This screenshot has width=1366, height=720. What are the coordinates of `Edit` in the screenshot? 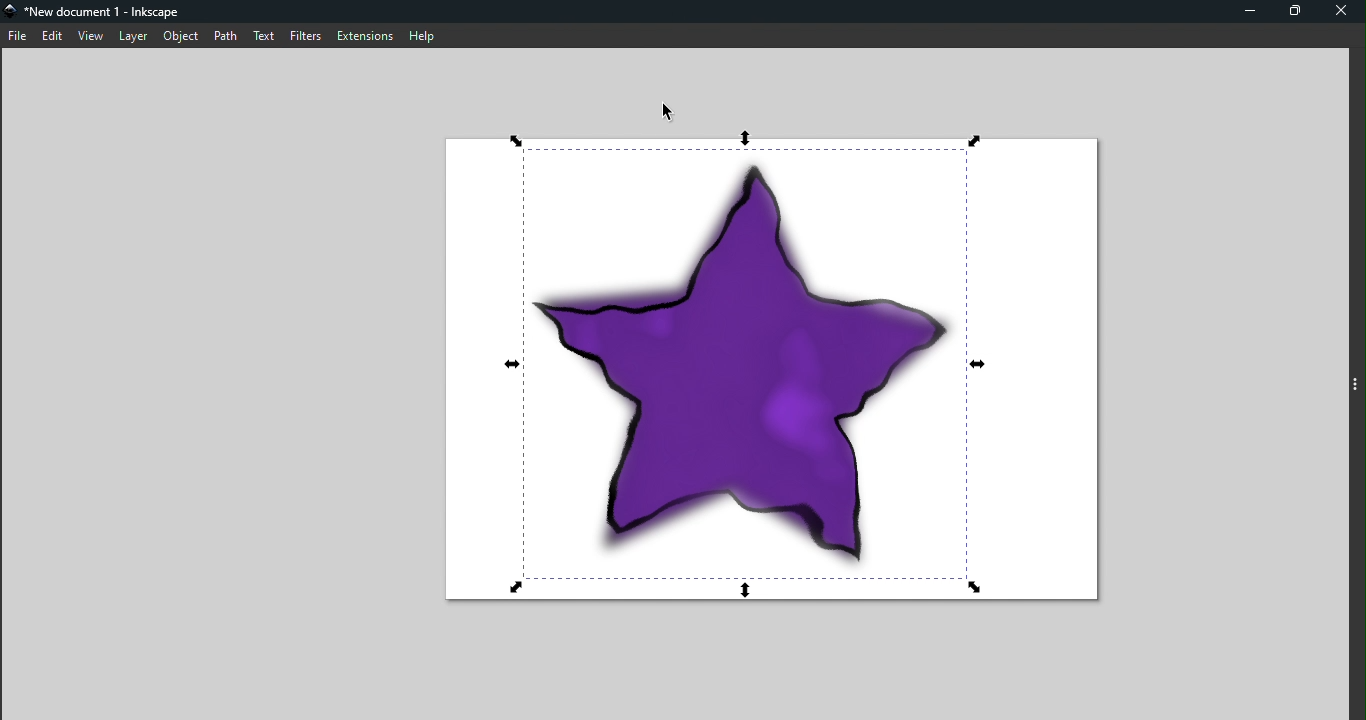 It's located at (53, 35).